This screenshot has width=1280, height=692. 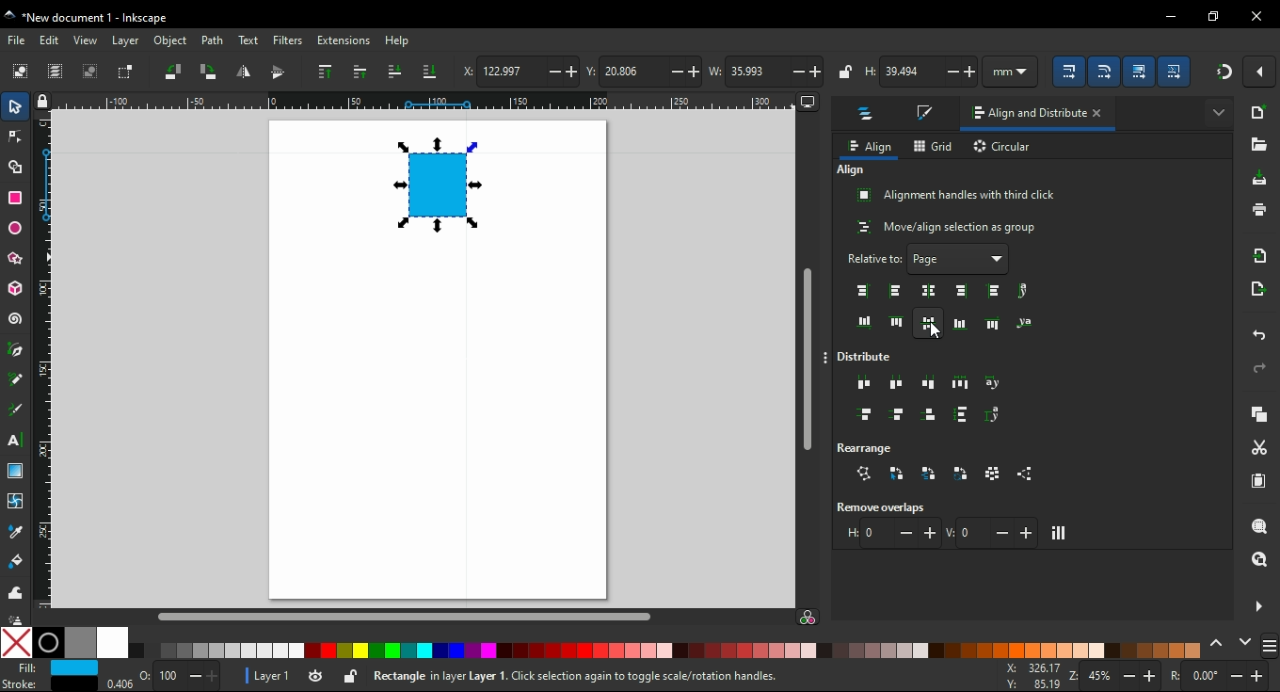 I want to click on show, so click(x=1218, y=110).